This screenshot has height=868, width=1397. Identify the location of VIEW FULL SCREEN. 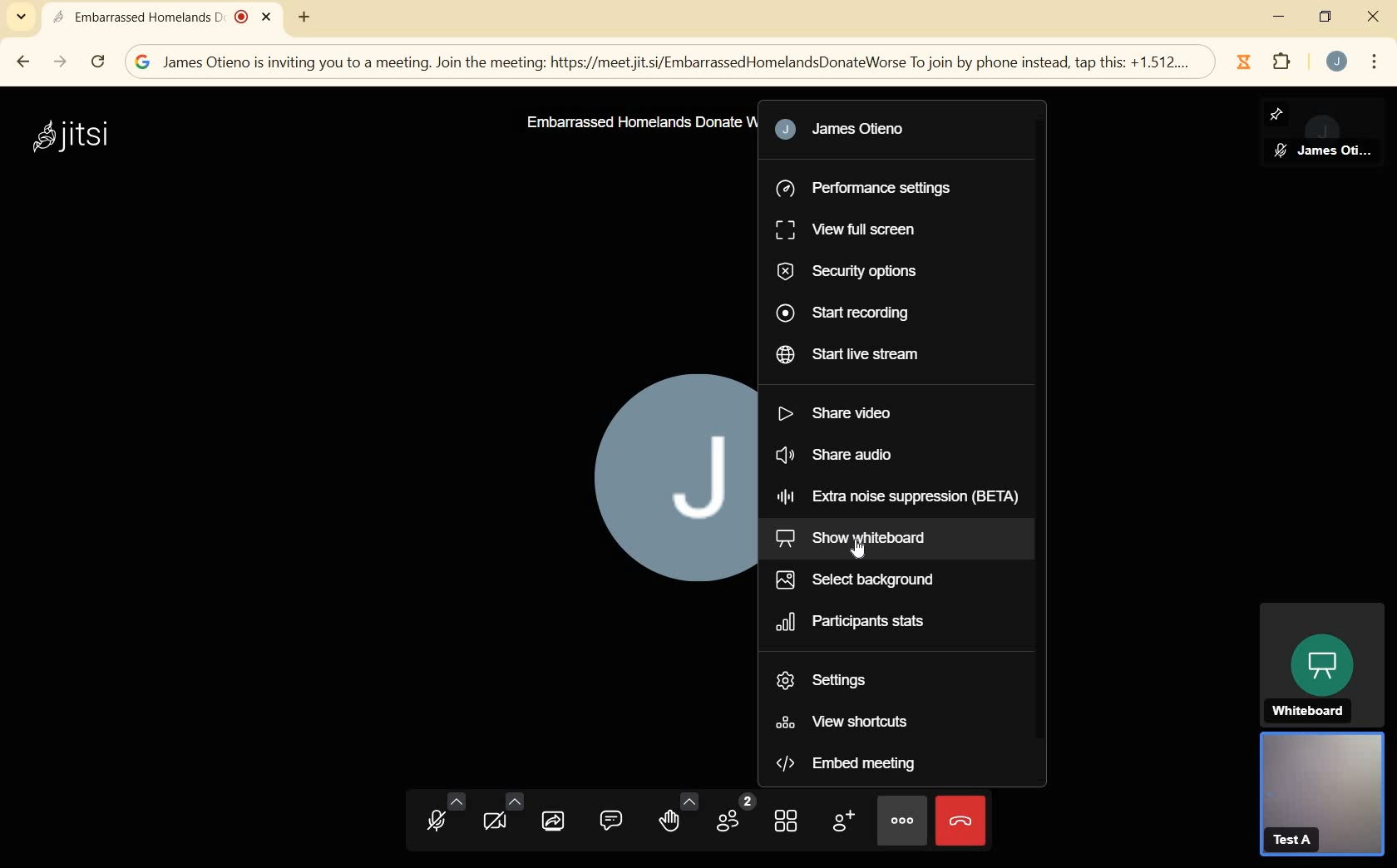
(849, 229).